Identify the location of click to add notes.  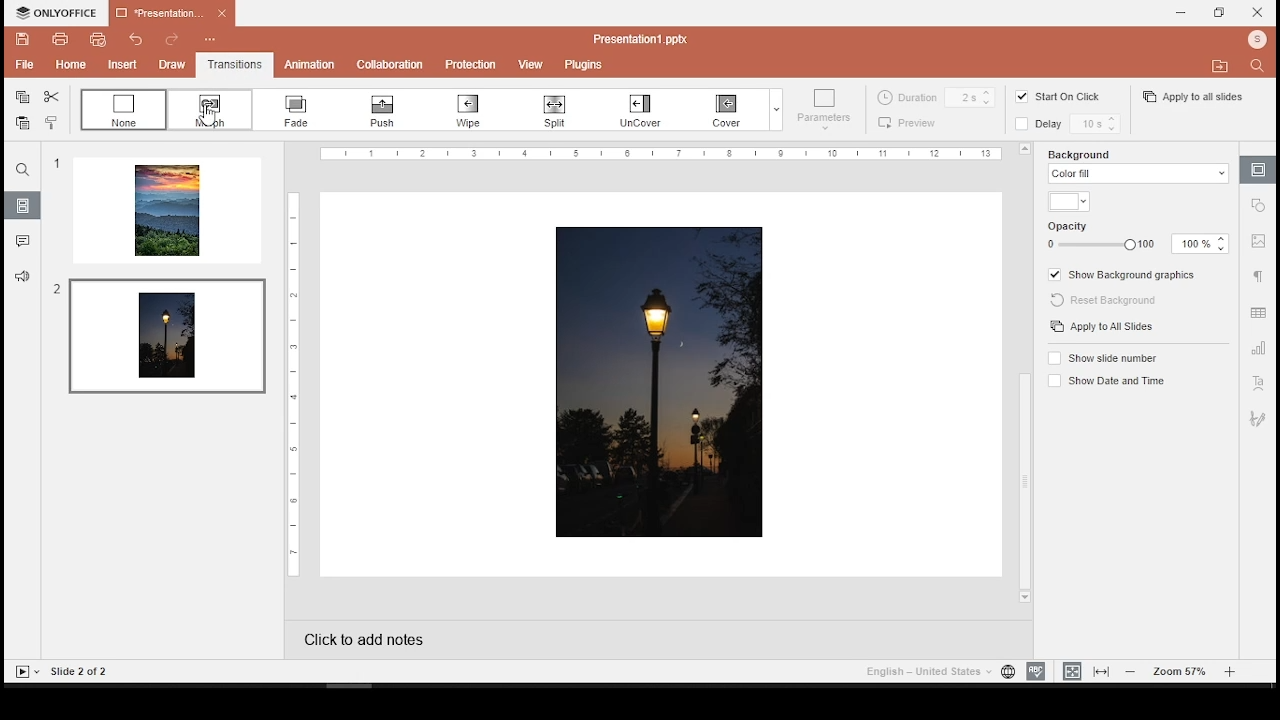
(384, 639).